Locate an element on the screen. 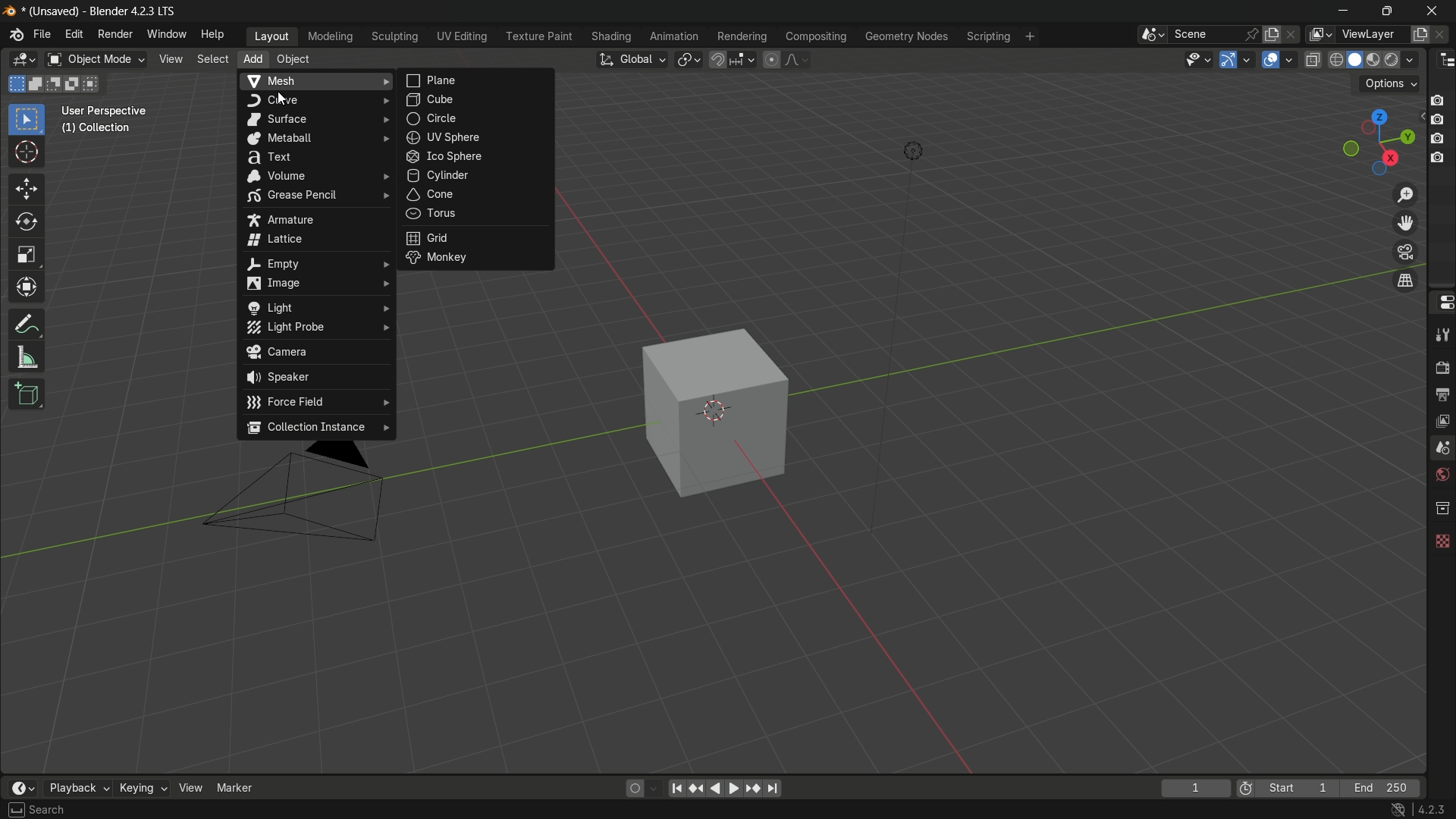  view layer is located at coordinates (1318, 34).